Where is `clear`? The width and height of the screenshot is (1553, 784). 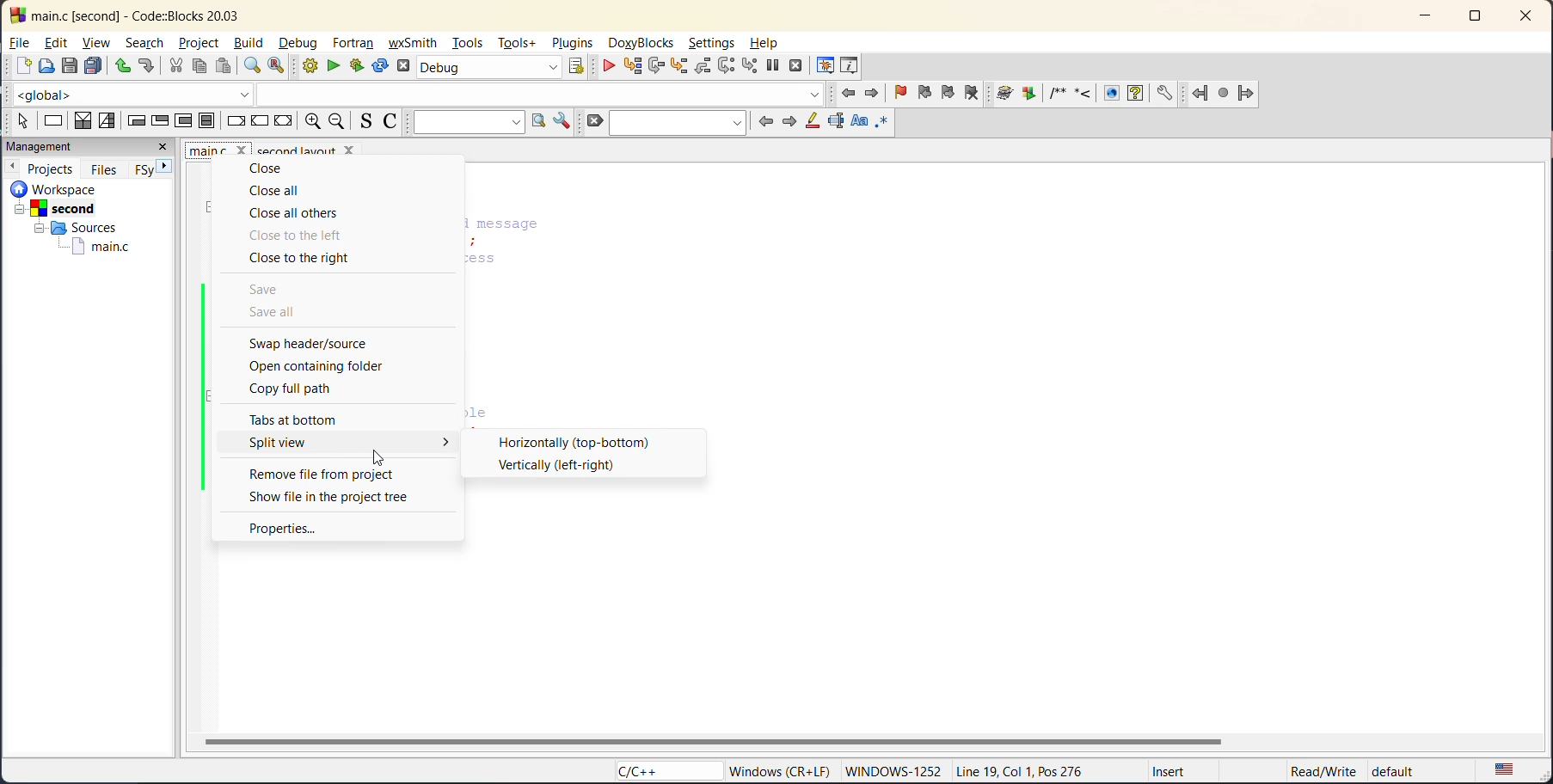 clear is located at coordinates (592, 121).